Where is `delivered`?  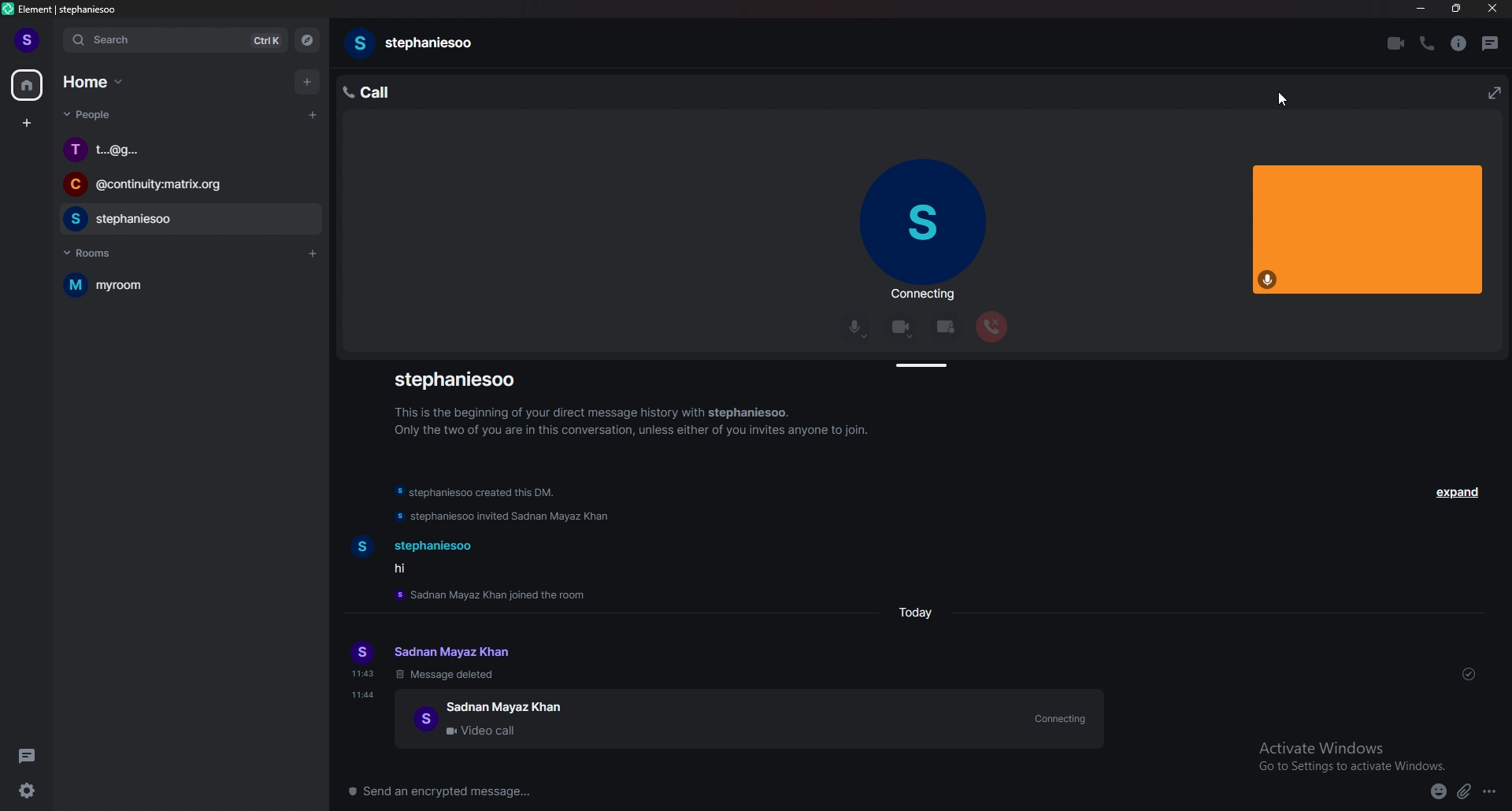
delivered is located at coordinates (1469, 676).